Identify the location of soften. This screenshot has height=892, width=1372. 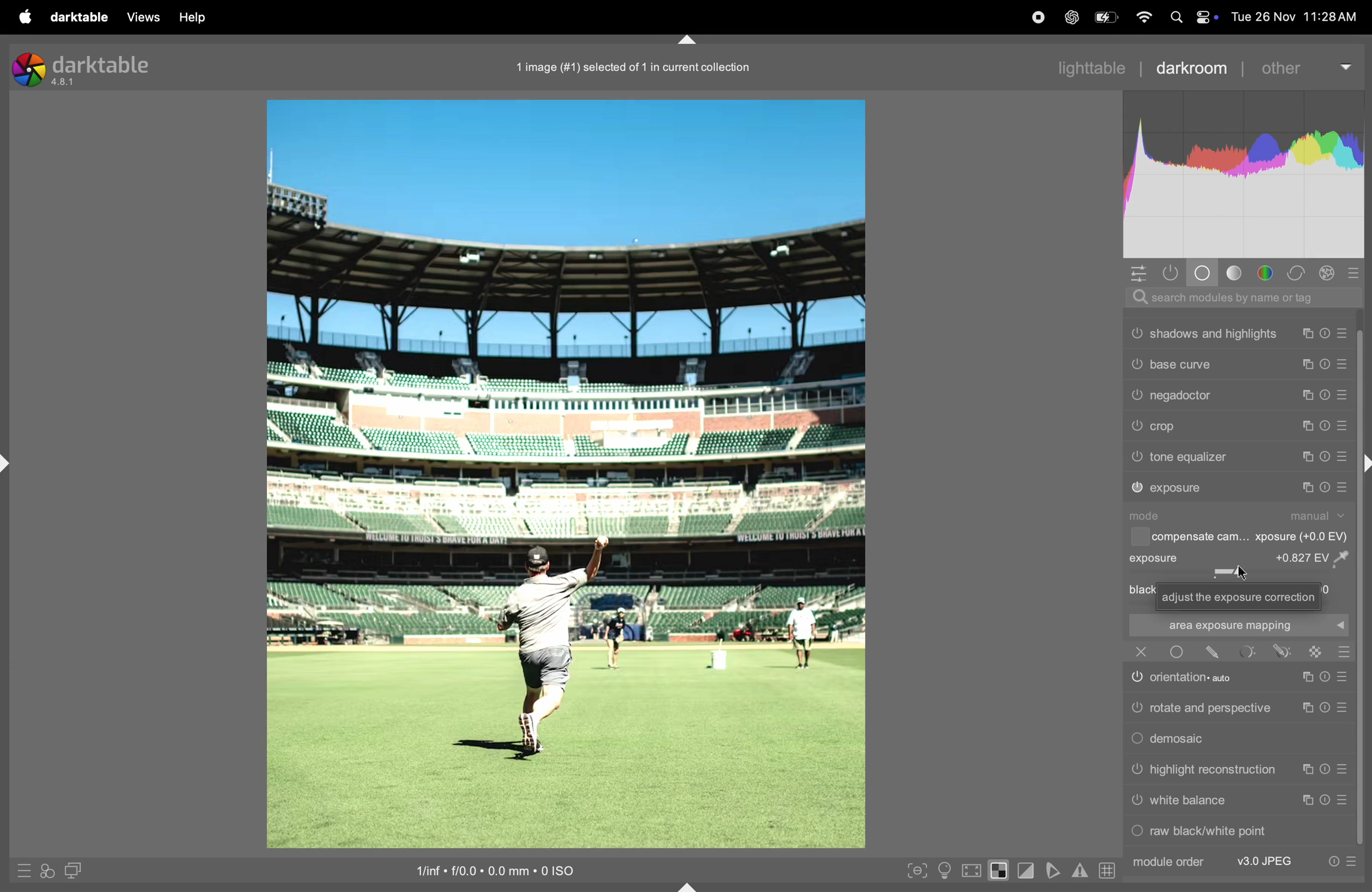
(1055, 870).